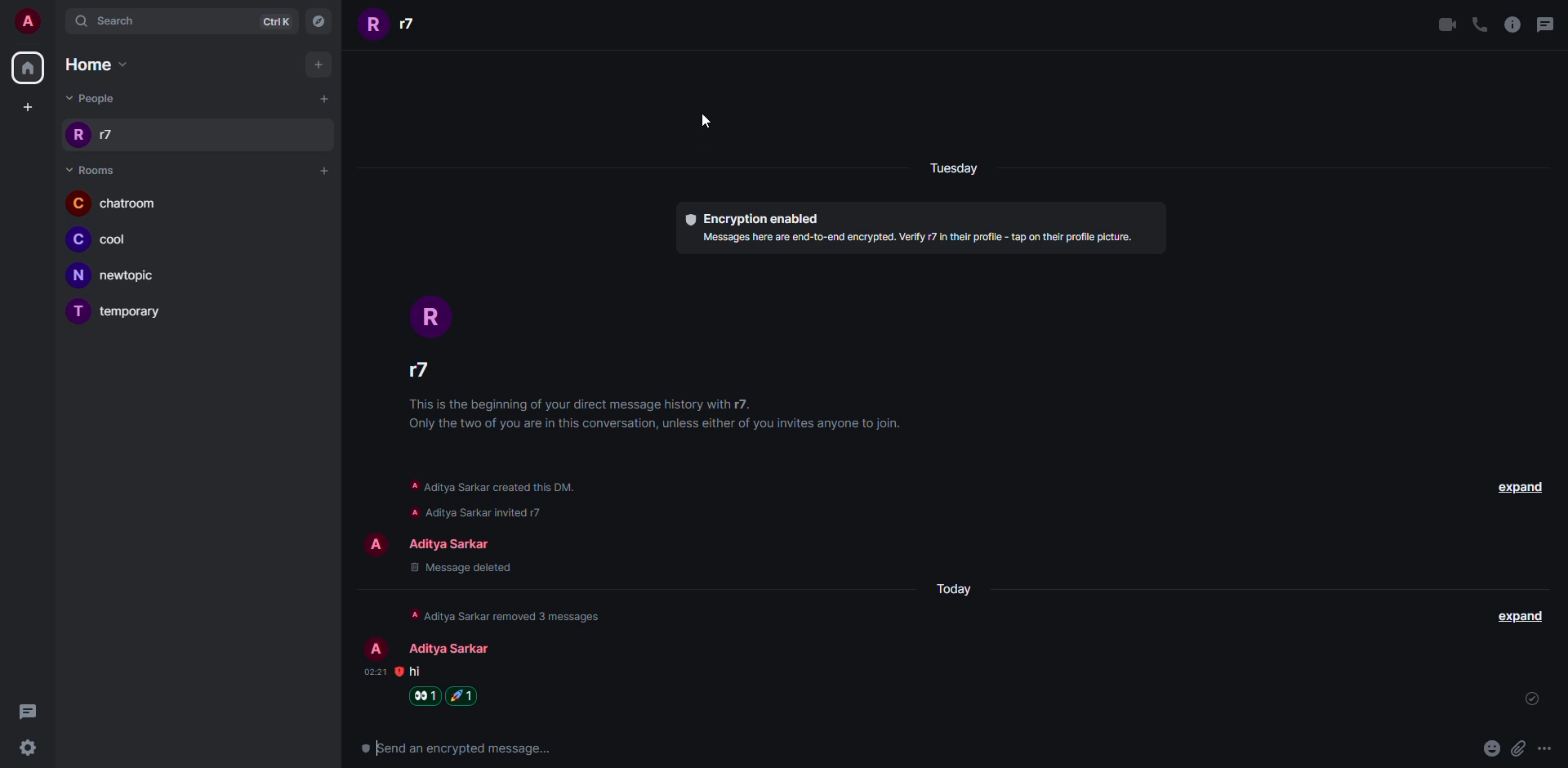  I want to click on people, so click(91, 136).